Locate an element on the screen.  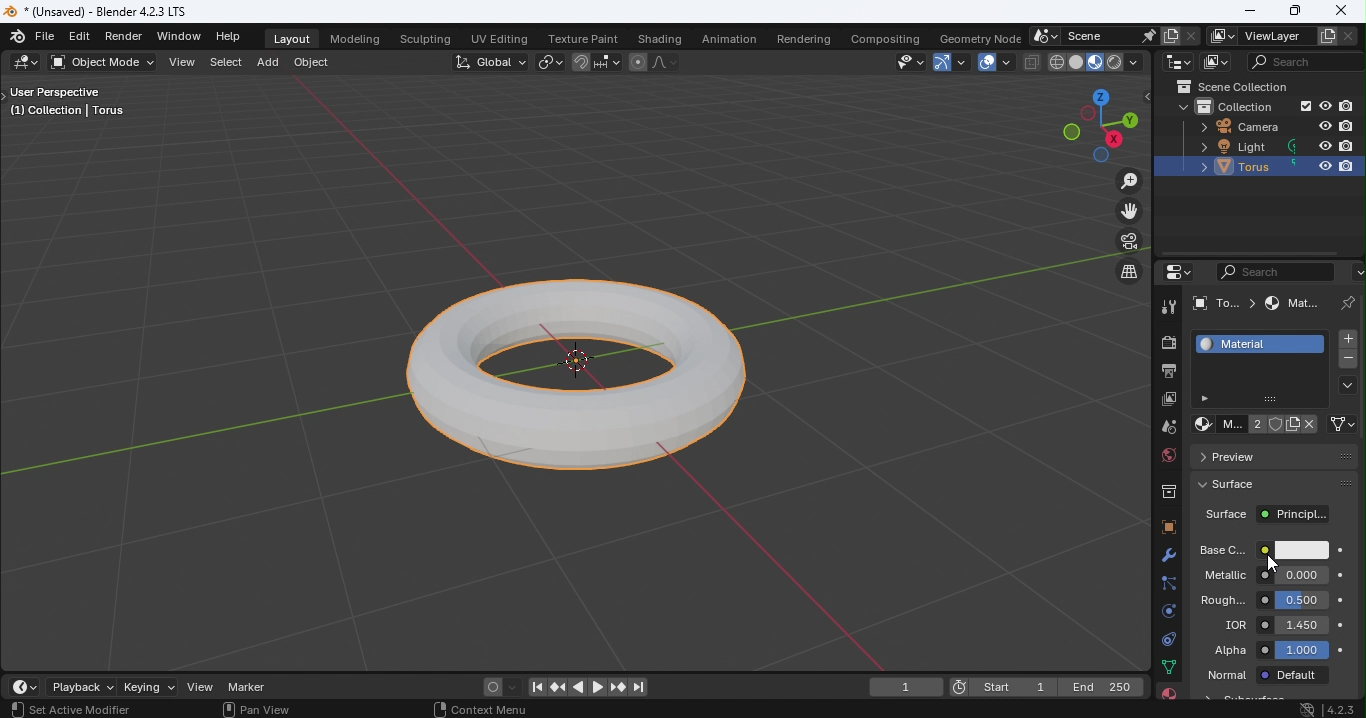
Select view is located at coordinates (21, 709).